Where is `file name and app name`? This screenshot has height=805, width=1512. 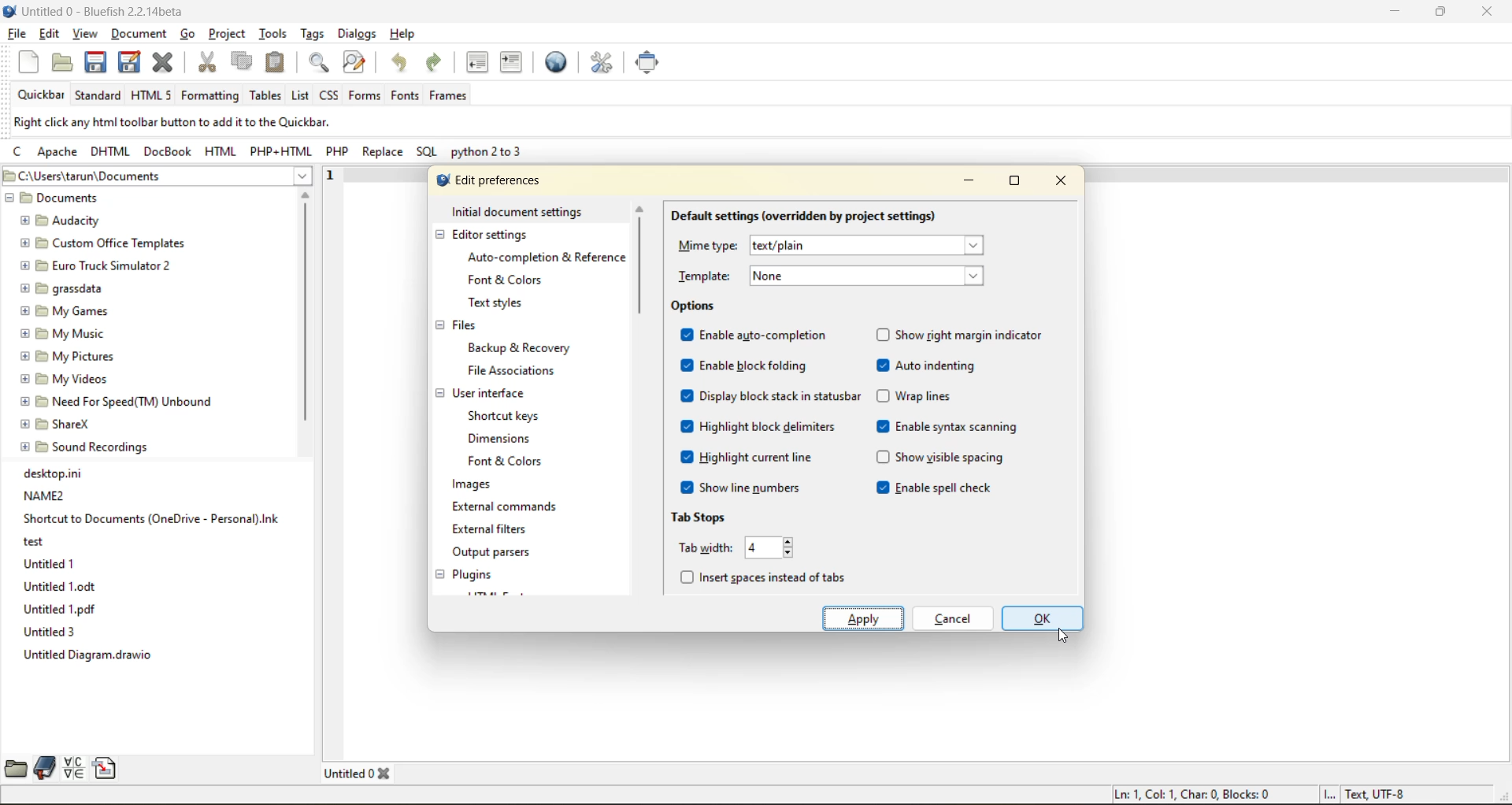 file name and app name is located at coordinates (105, 11).